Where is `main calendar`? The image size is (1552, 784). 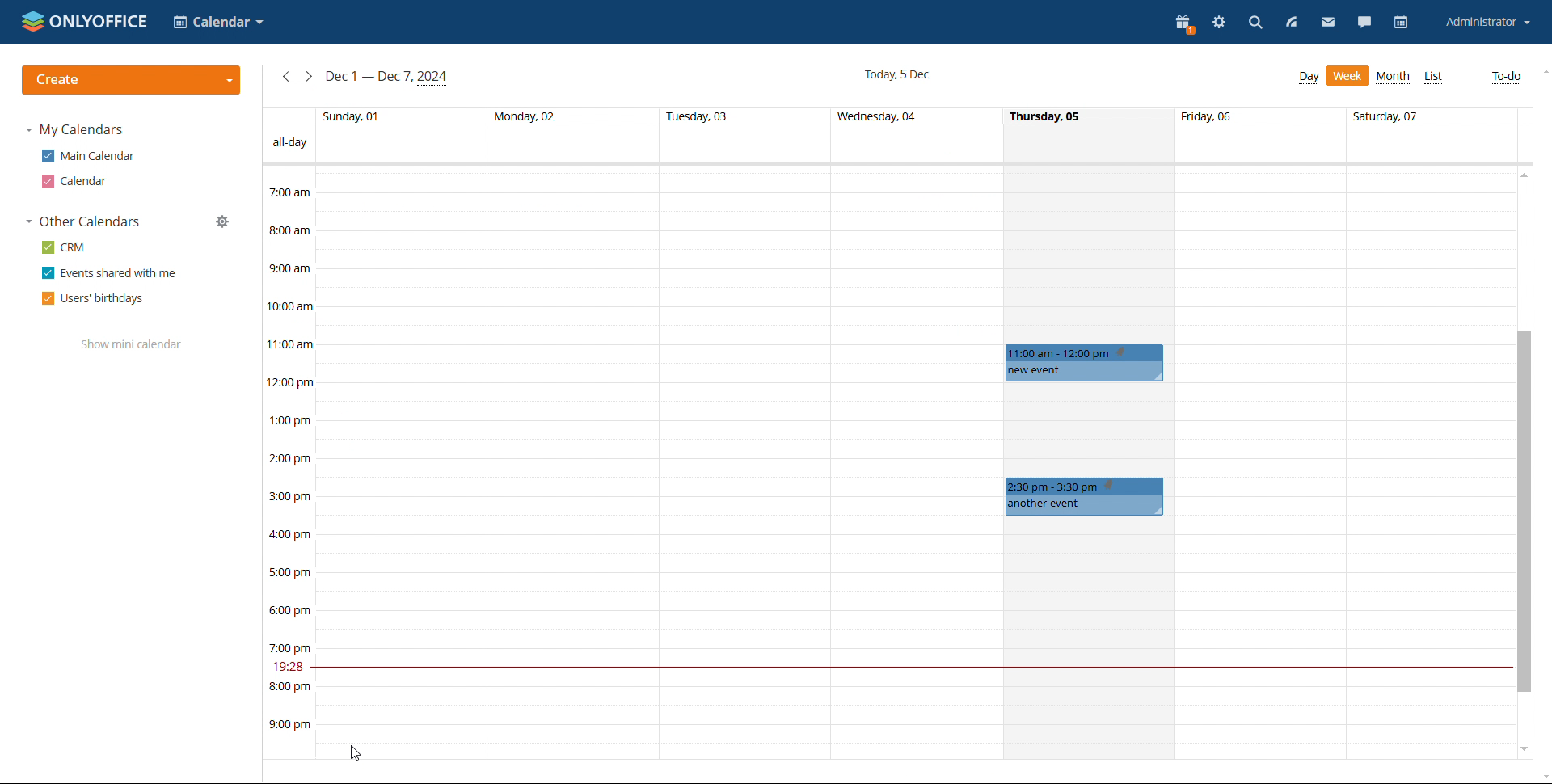
main calendar is located at coordinates (88, 156).